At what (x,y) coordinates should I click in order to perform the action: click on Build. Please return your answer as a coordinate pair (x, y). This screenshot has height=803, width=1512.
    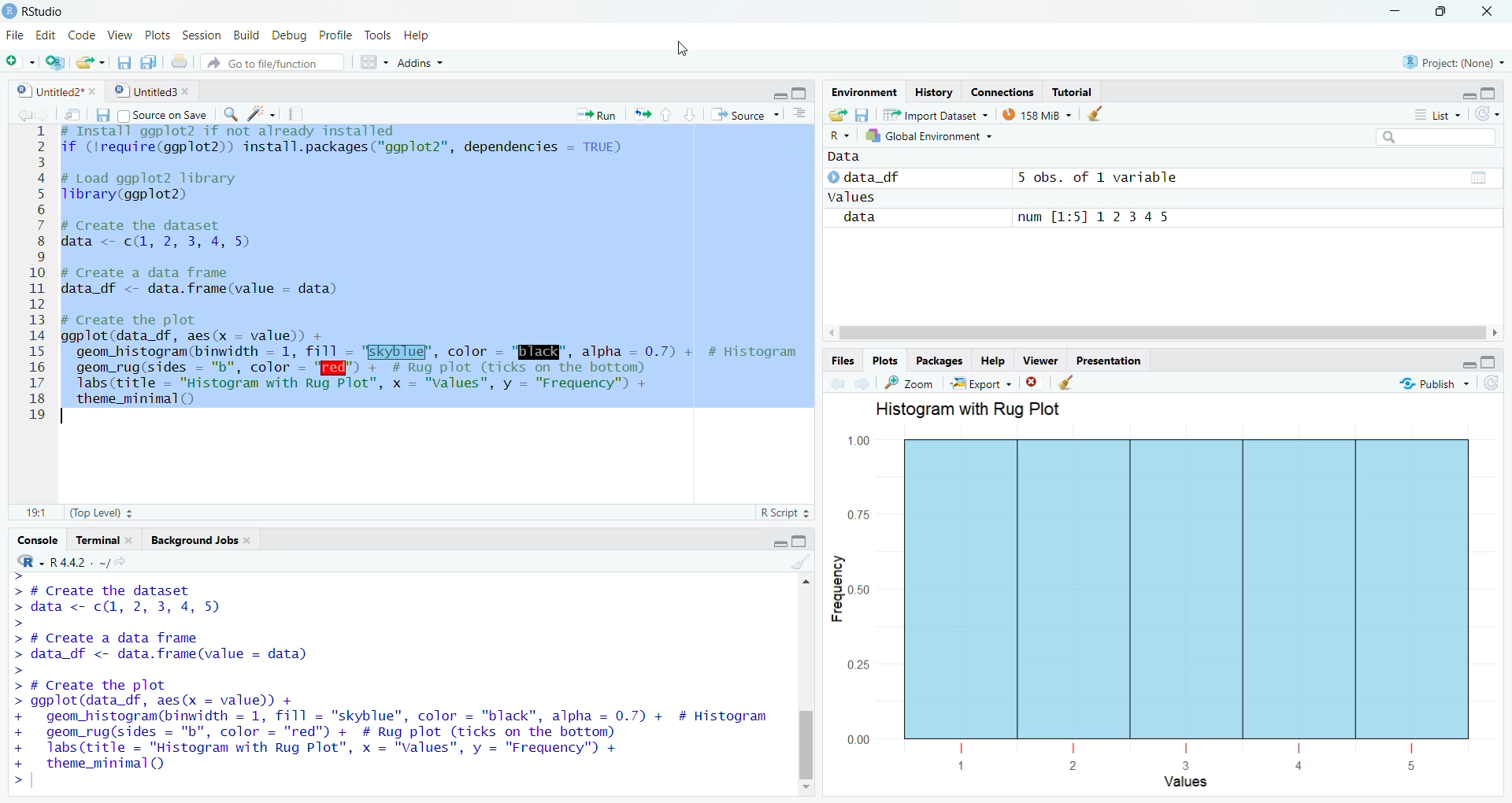
    Looking at the image, I should click on (243, 33).